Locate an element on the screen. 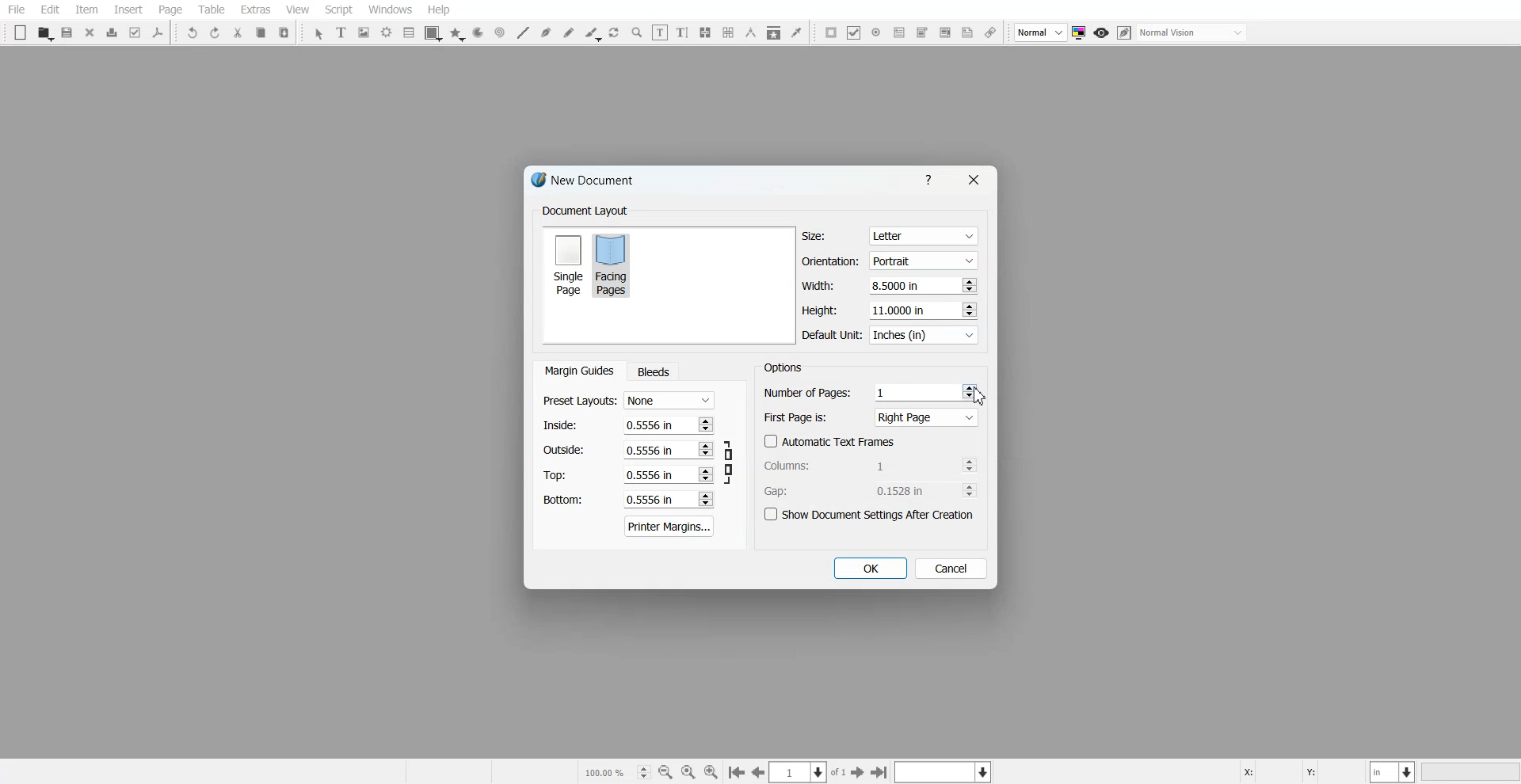  Calligraphic line is located at coordinates (593, 34).